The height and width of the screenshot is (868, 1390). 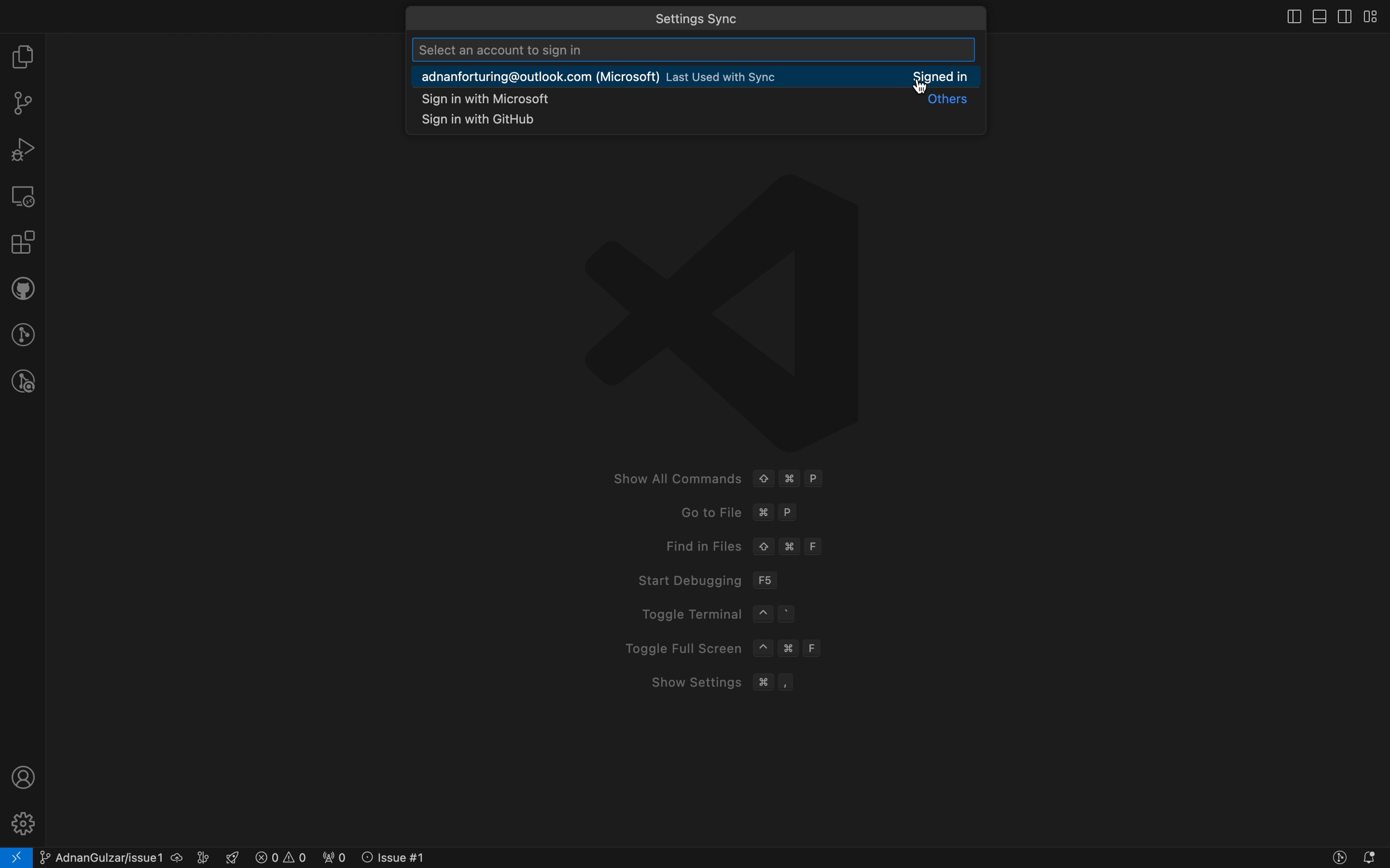 What do you see at coordinates (22, 332) in the screenshot?
I see `gitlens` at bounding box center [22, 332].